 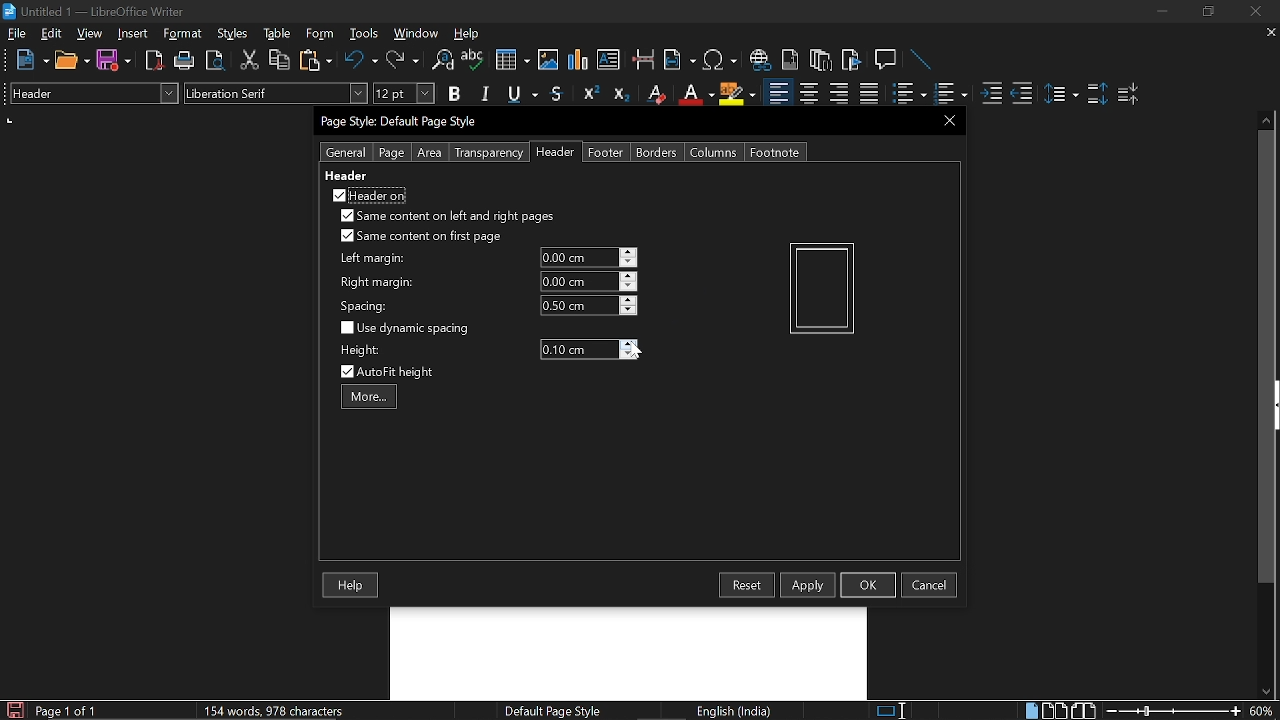 I want to click on Highlight, so click(x=738, y=93).